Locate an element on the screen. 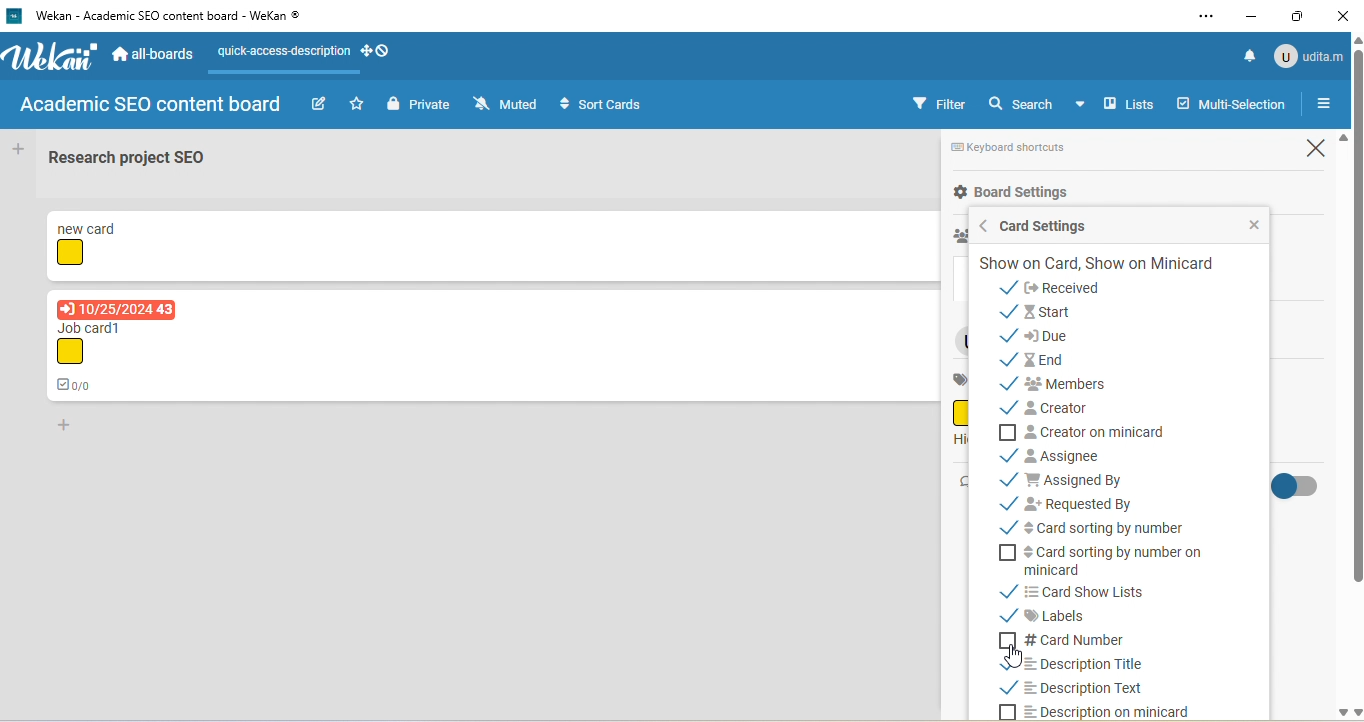 This screenshot has height=722, width=1364. new card is located at coordinates (91, 226).